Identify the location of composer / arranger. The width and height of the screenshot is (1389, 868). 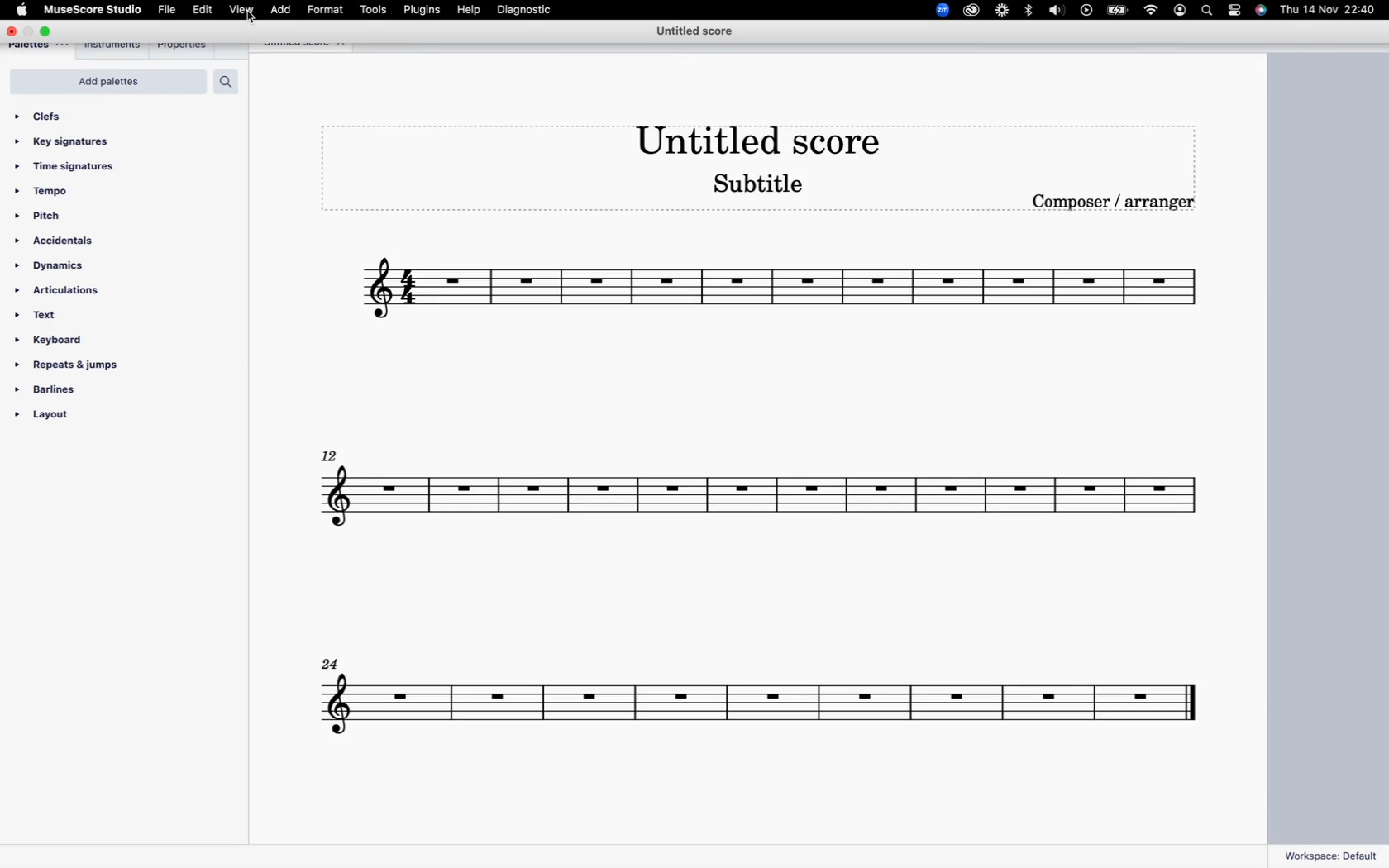
(1118, 207).